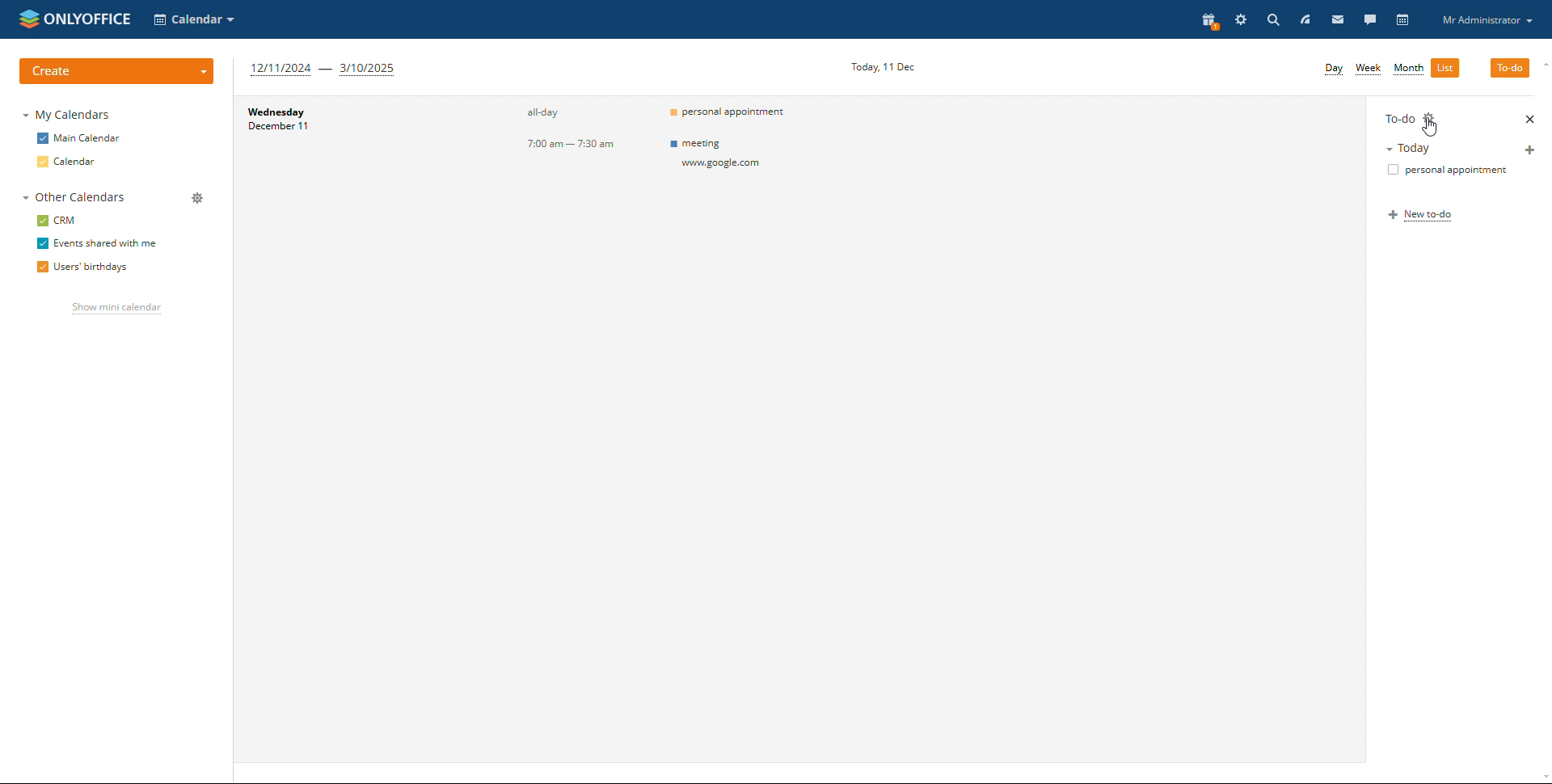 The width and height of the screenshot is (1552, 784). What do you see at coordinates (76, 138) in the screenshot?
I see `main calendar` at bounding box center [76, 138].